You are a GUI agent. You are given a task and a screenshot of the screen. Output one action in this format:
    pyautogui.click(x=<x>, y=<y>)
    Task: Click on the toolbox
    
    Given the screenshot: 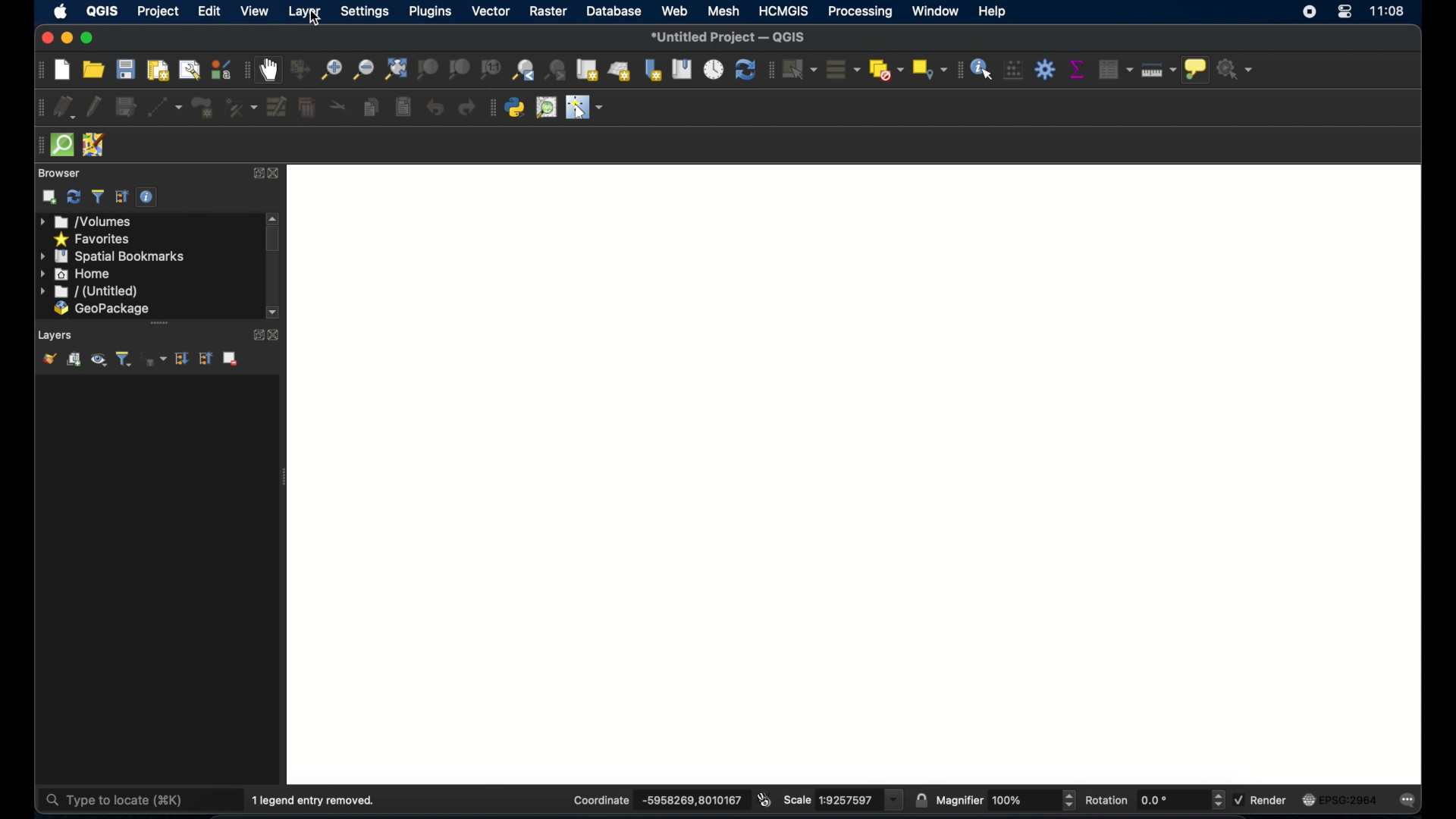 What is the action you would take?
    pyautogui.click(x=1046, y=69)
    